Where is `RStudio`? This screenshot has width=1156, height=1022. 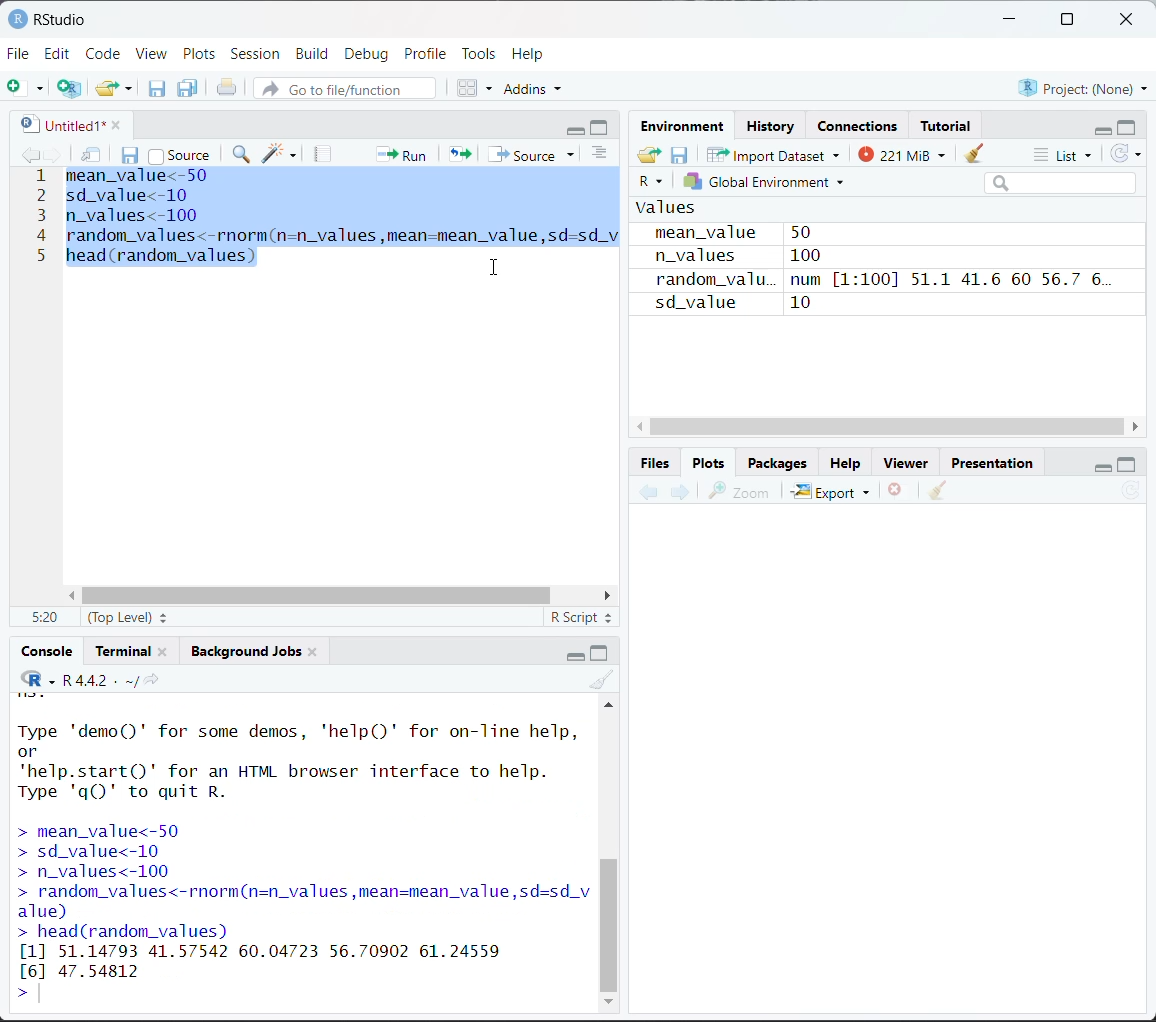 RStudio is located at coordinates (47, 18).